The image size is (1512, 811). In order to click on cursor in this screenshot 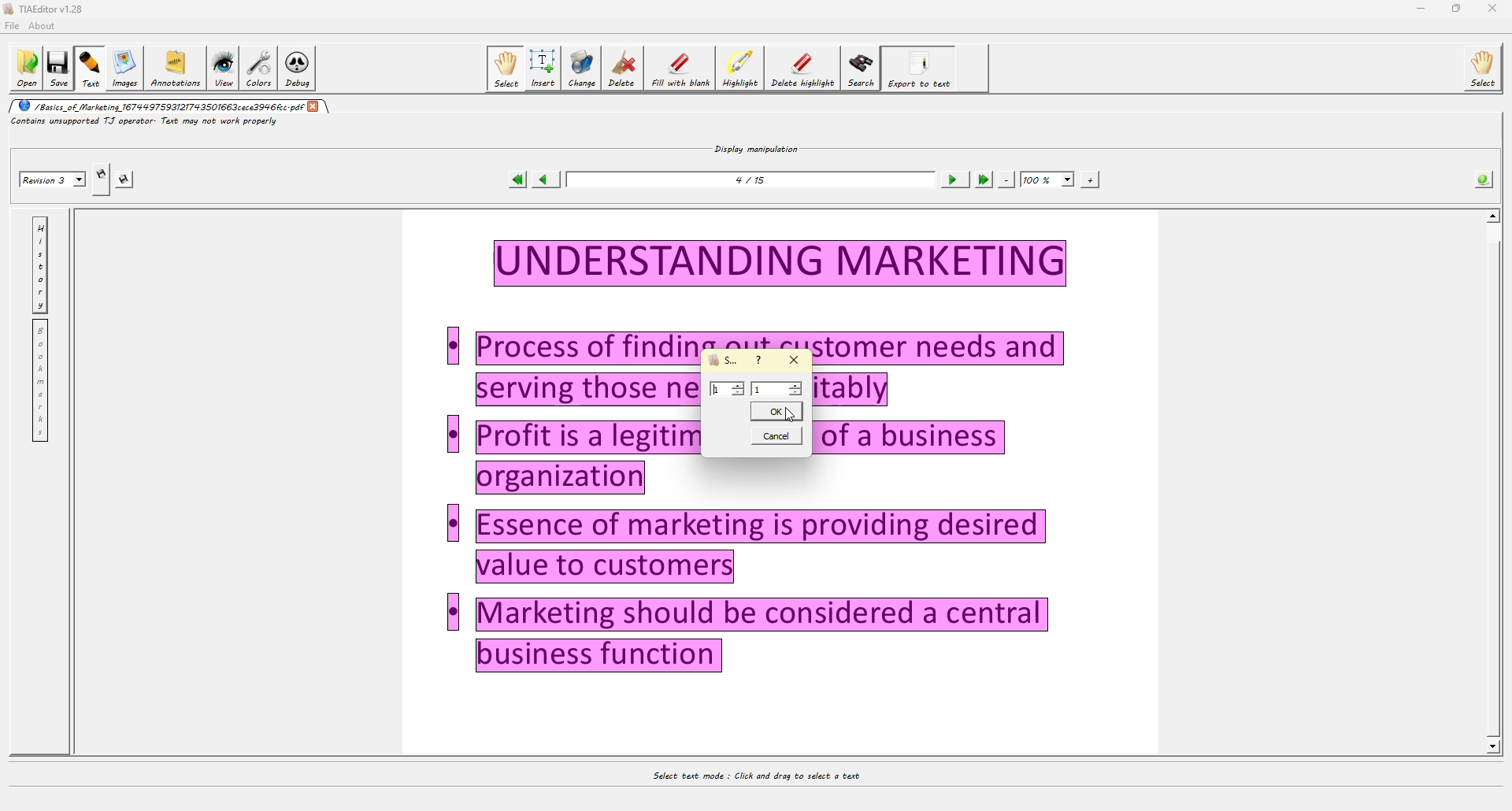, I will do `click(791, 414)`.